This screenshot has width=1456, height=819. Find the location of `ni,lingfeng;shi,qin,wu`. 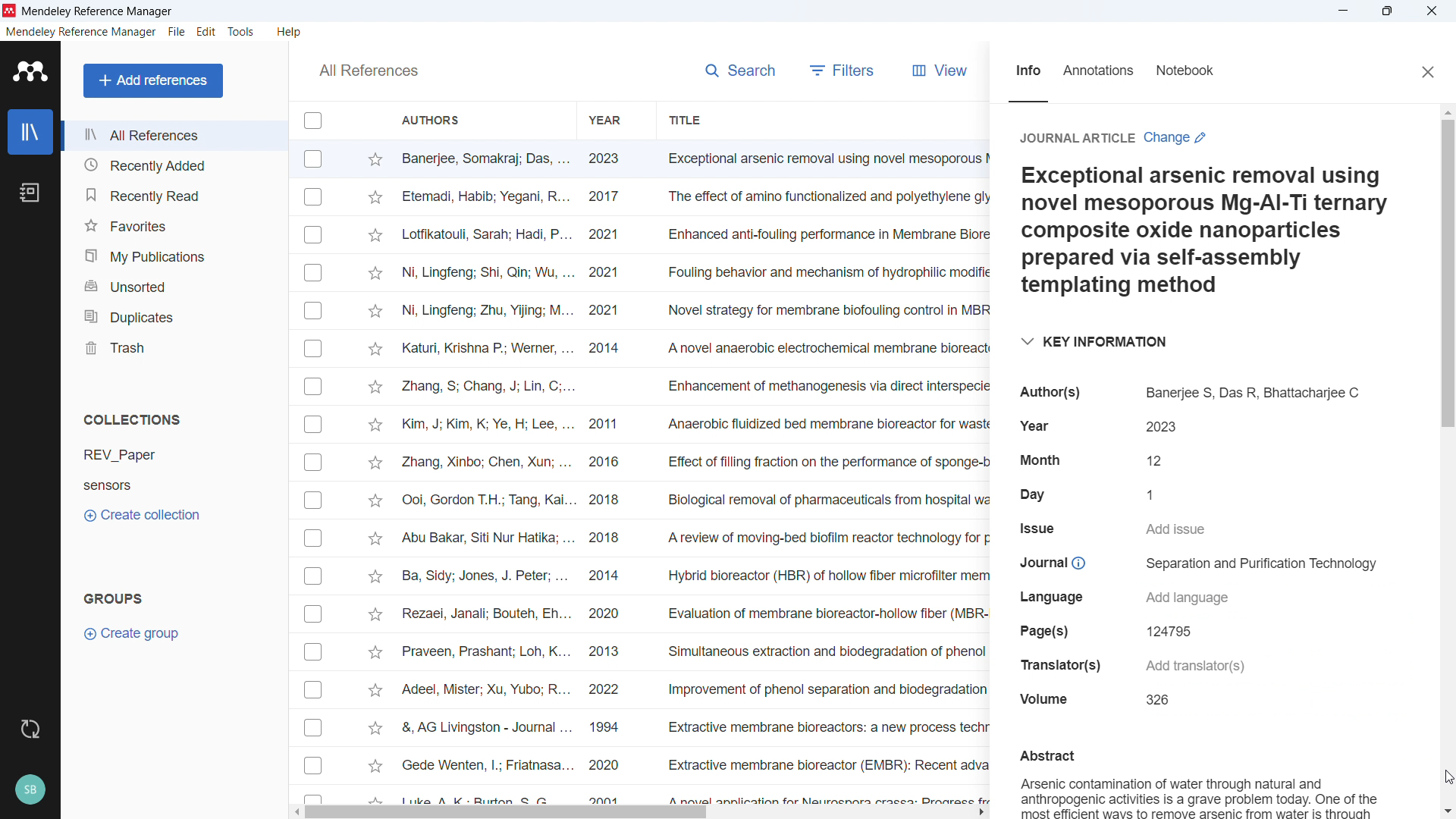

ni,lingfeng;shi,qin,wu is located at coordinates (488, 271).